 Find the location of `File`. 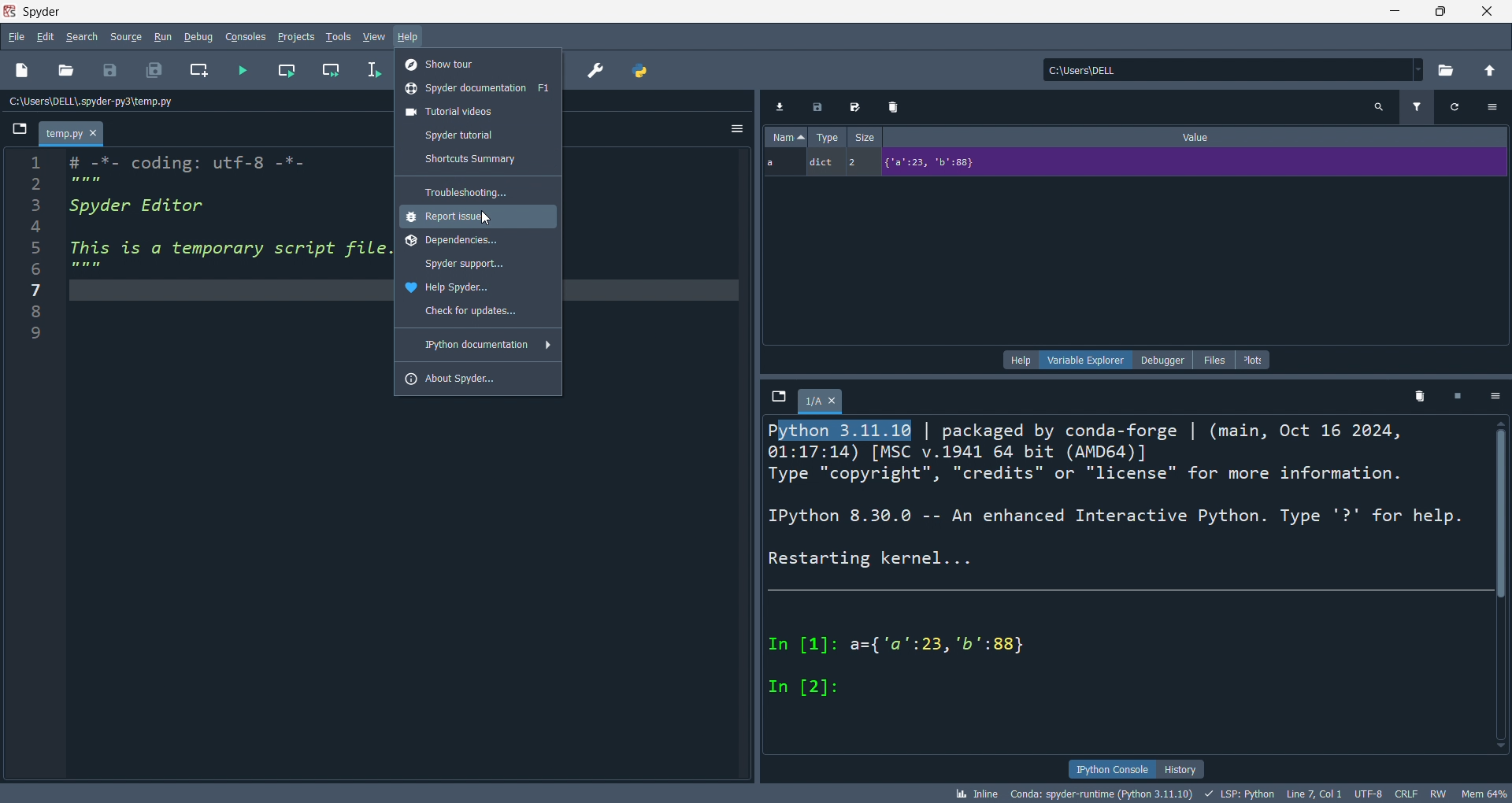

File is located at coordinates (20, 130).